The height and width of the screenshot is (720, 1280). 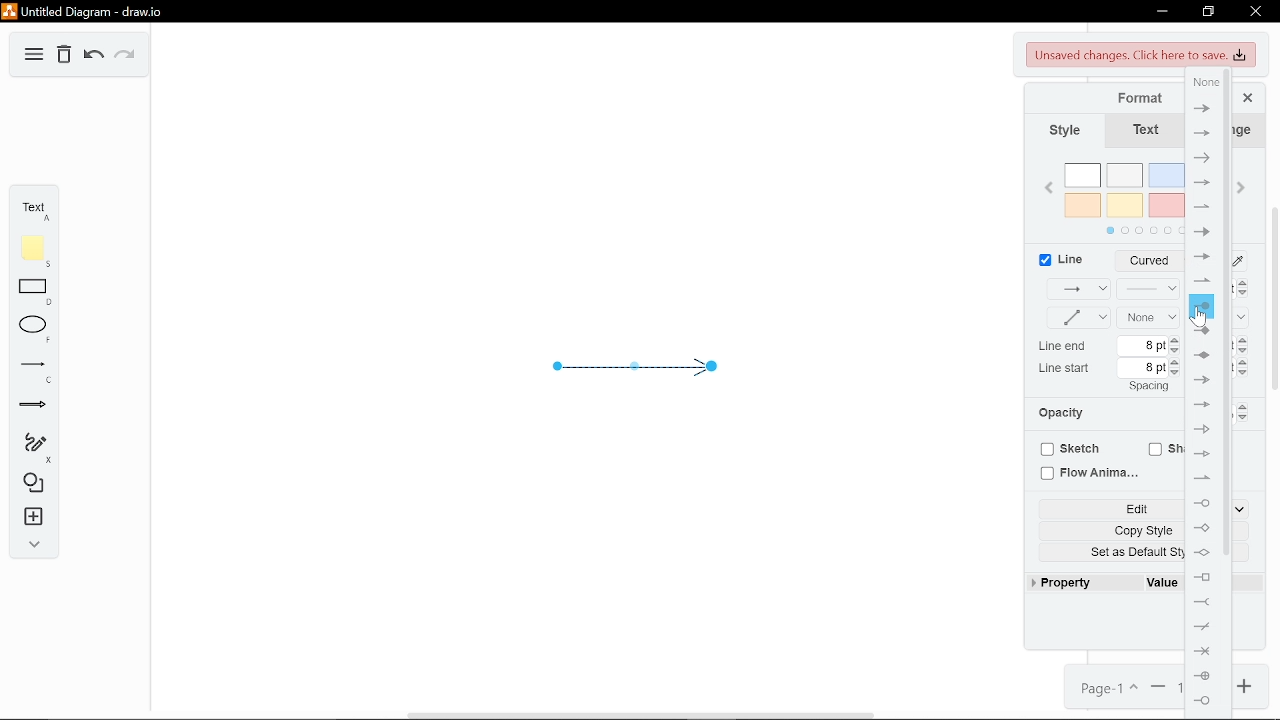 I want to click on scroll bar, so click(x=1275, y=300).